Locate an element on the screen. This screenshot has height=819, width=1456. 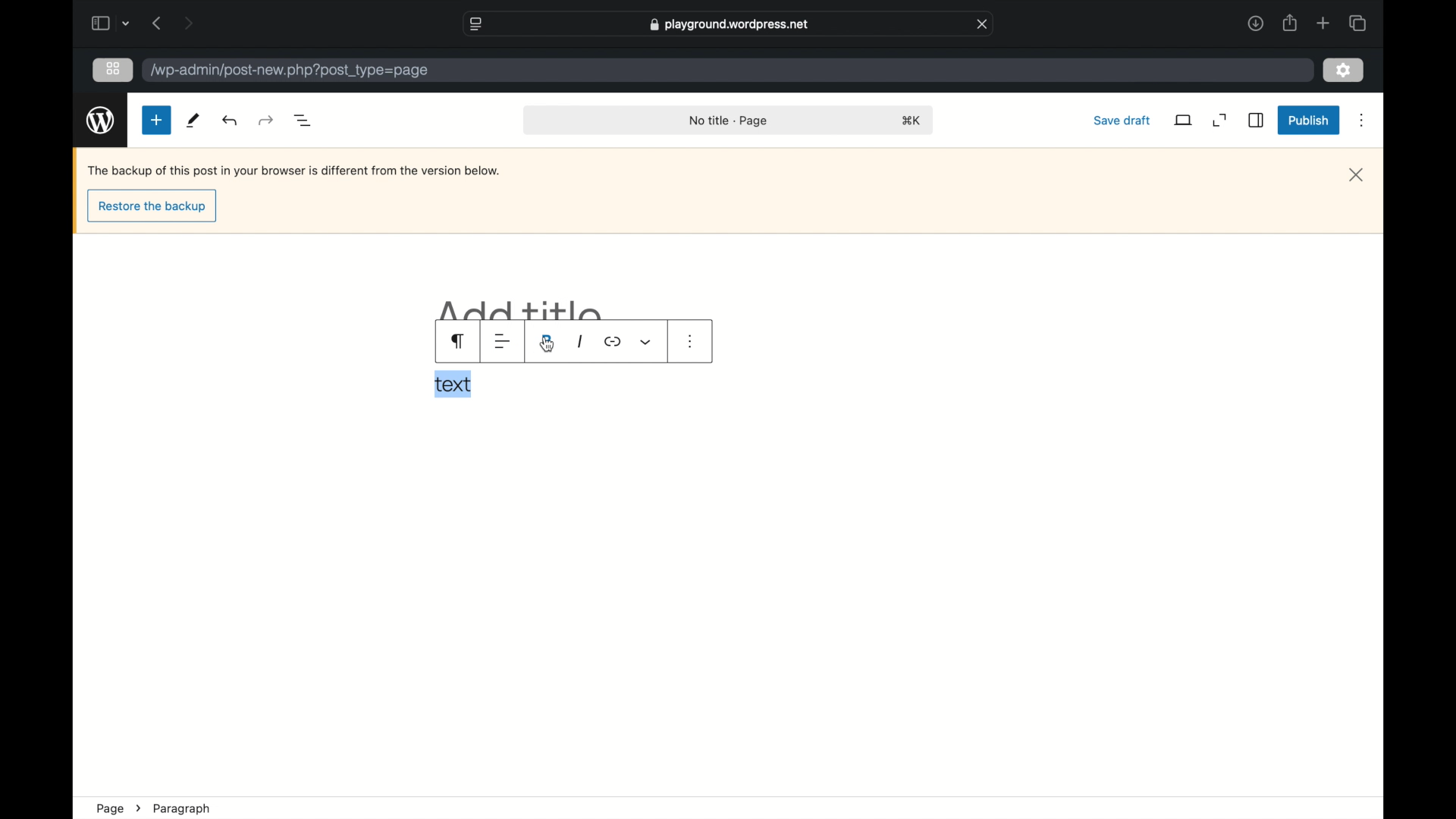
redo is located at coordinates (231, 120).